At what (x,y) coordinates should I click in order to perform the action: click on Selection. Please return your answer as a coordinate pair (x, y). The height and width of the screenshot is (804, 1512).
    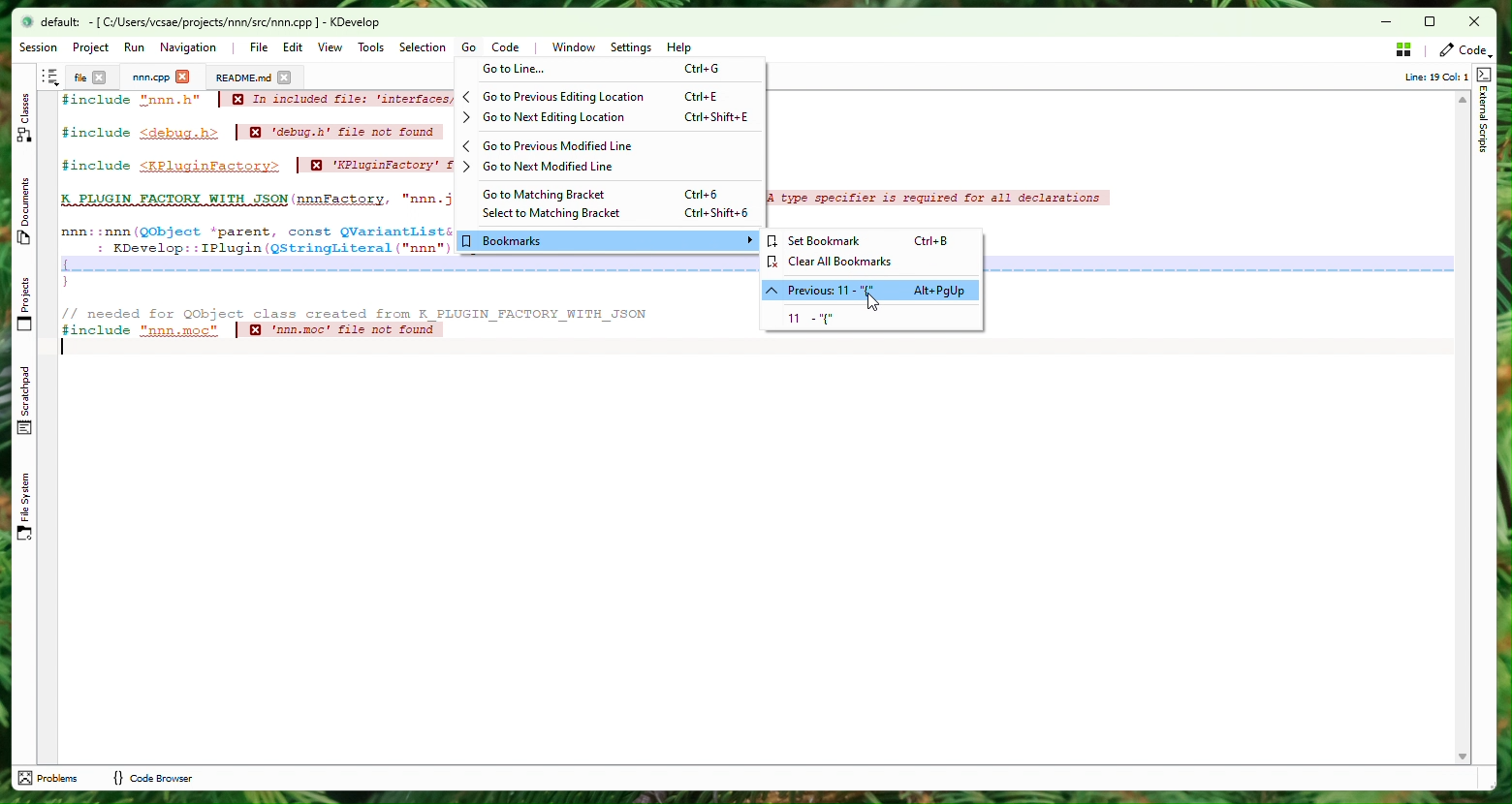
    Looking at the image, I should click on (418, 47).